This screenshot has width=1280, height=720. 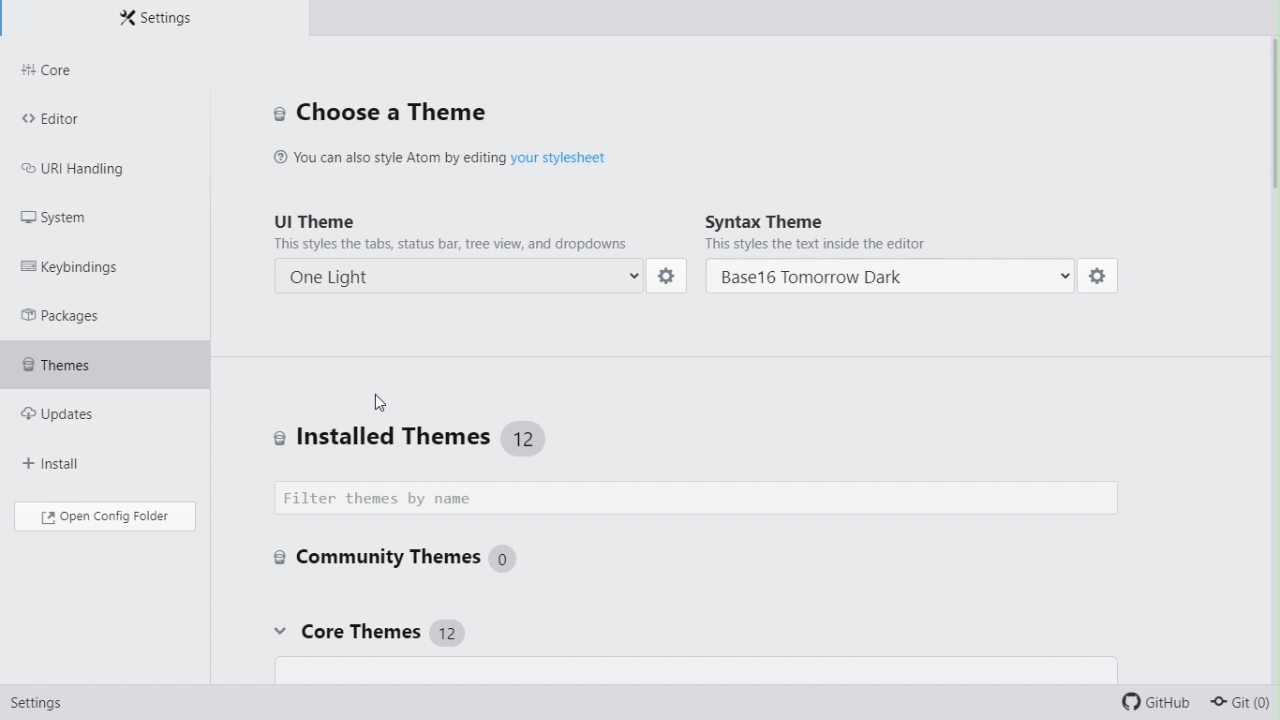 What do you see at coordinates (35, 706) in the screenshot?
I see `settings` at bounding box center [35, 706].